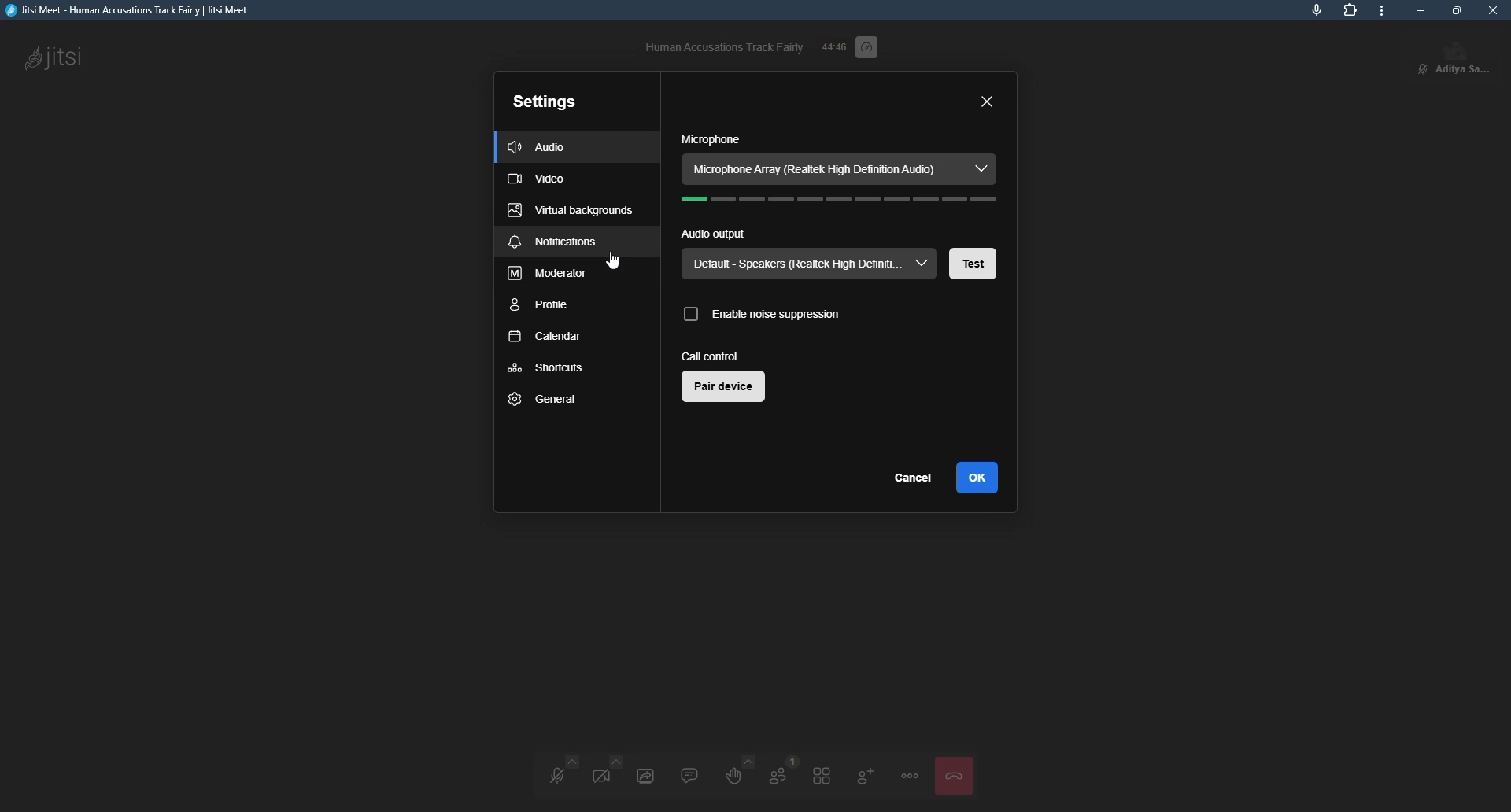 Image resolution: width=1511 pixels, height=812 pixels. I want to click on moderator, so click(549, 275).